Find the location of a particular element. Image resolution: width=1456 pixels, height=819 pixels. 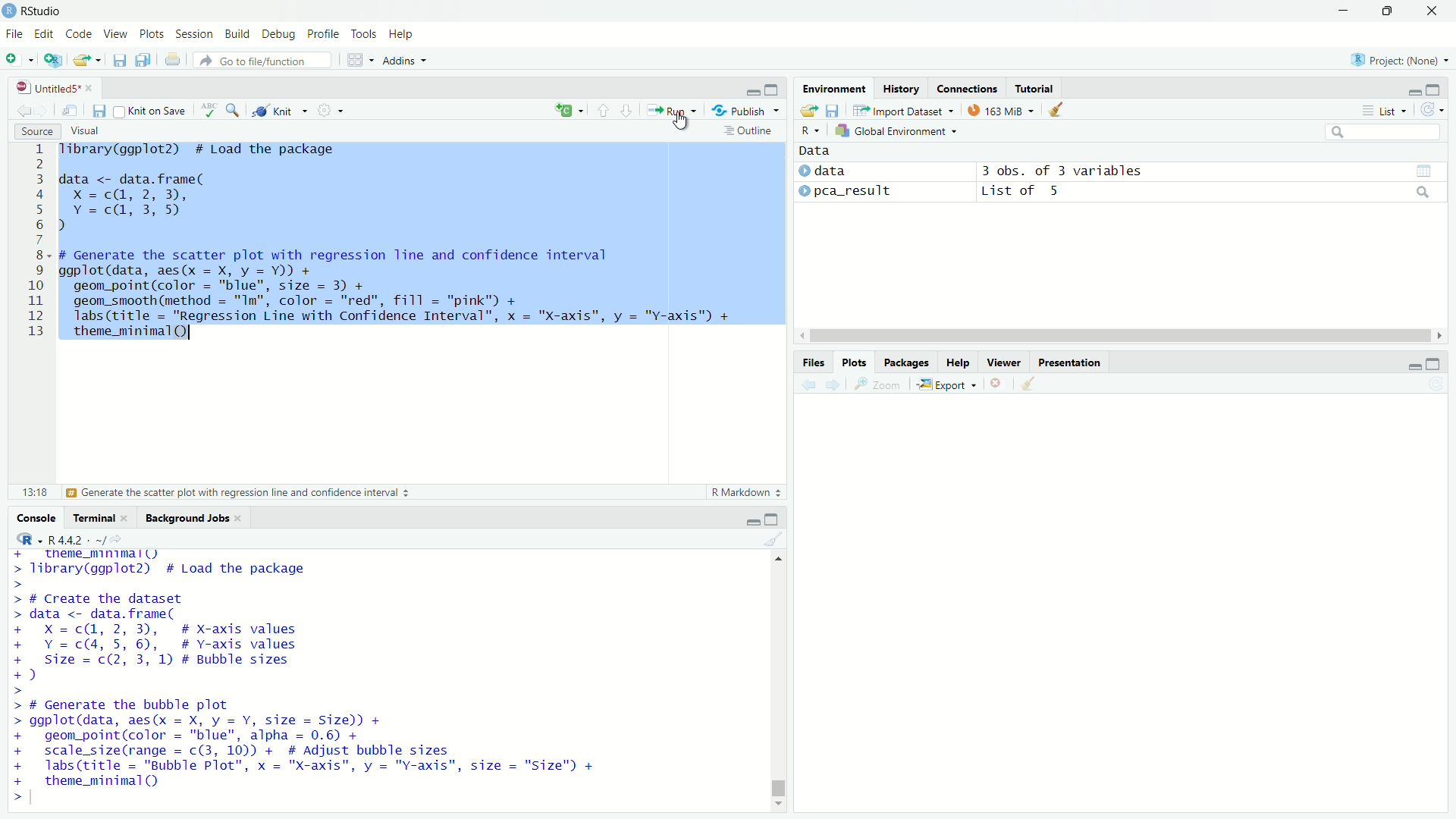

close is located at coordinates (127, 519).